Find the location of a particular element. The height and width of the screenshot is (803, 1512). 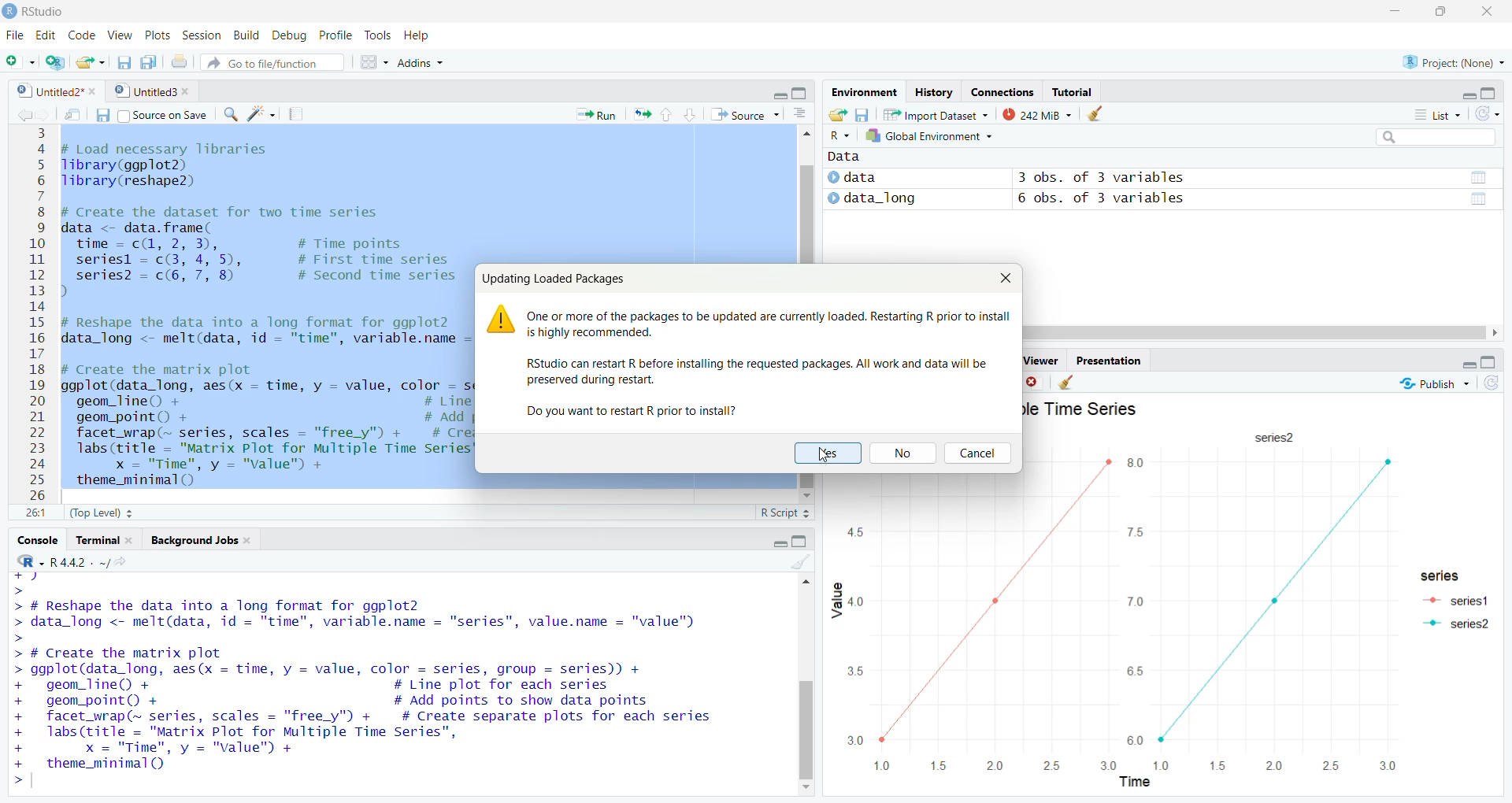

Project: (None)  is located at coordinates (1453, 61).